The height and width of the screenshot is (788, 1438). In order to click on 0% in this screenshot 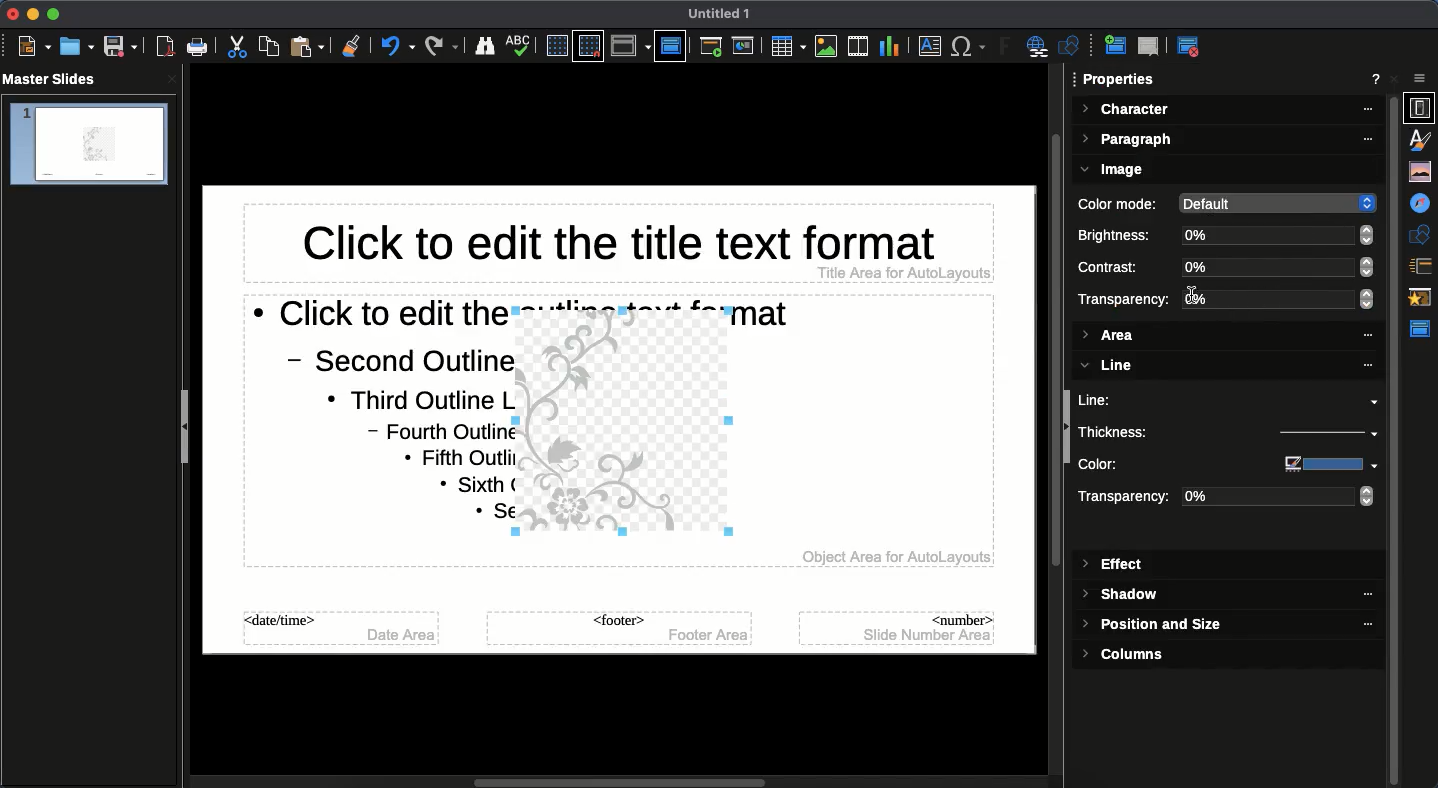, I will do `click(1277, 235)`.